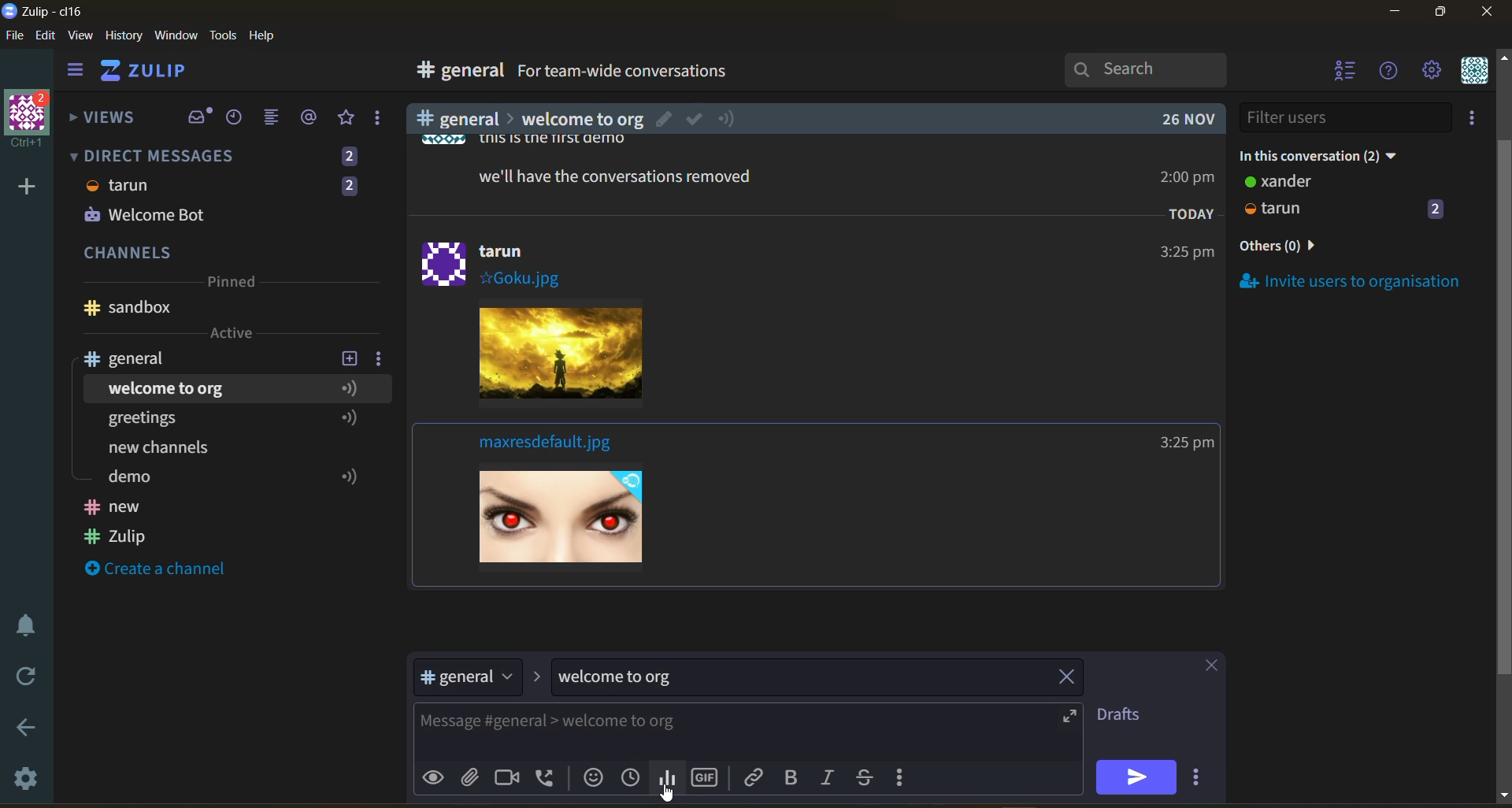  Describe the element at coordinates (915, 74) in the screenshot. I see `help` at that location.